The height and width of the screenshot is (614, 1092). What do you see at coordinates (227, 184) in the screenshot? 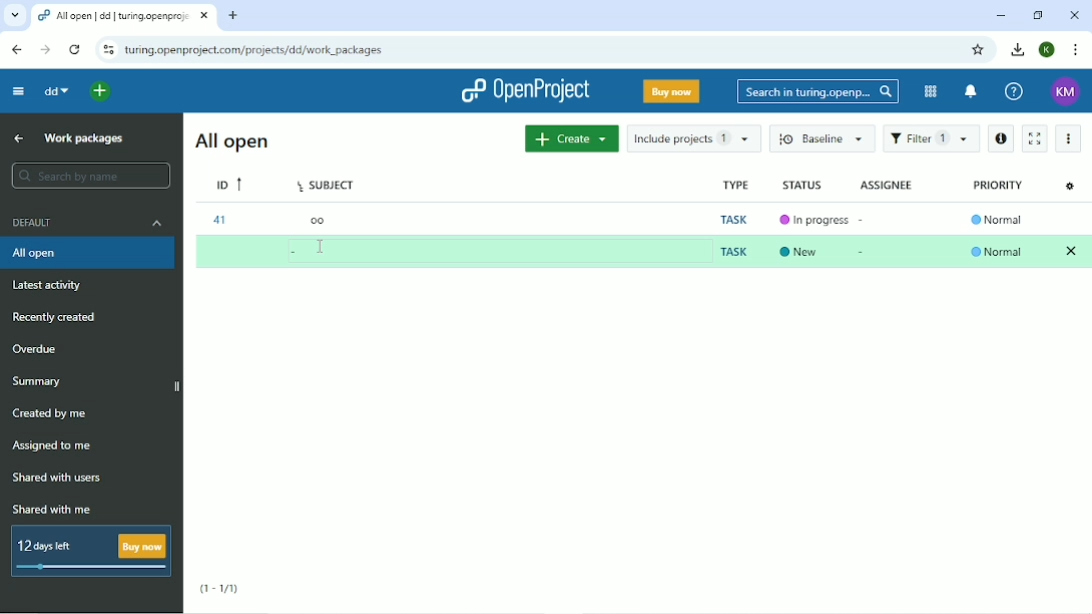
I see `ID` at bounding box center [227, 184].